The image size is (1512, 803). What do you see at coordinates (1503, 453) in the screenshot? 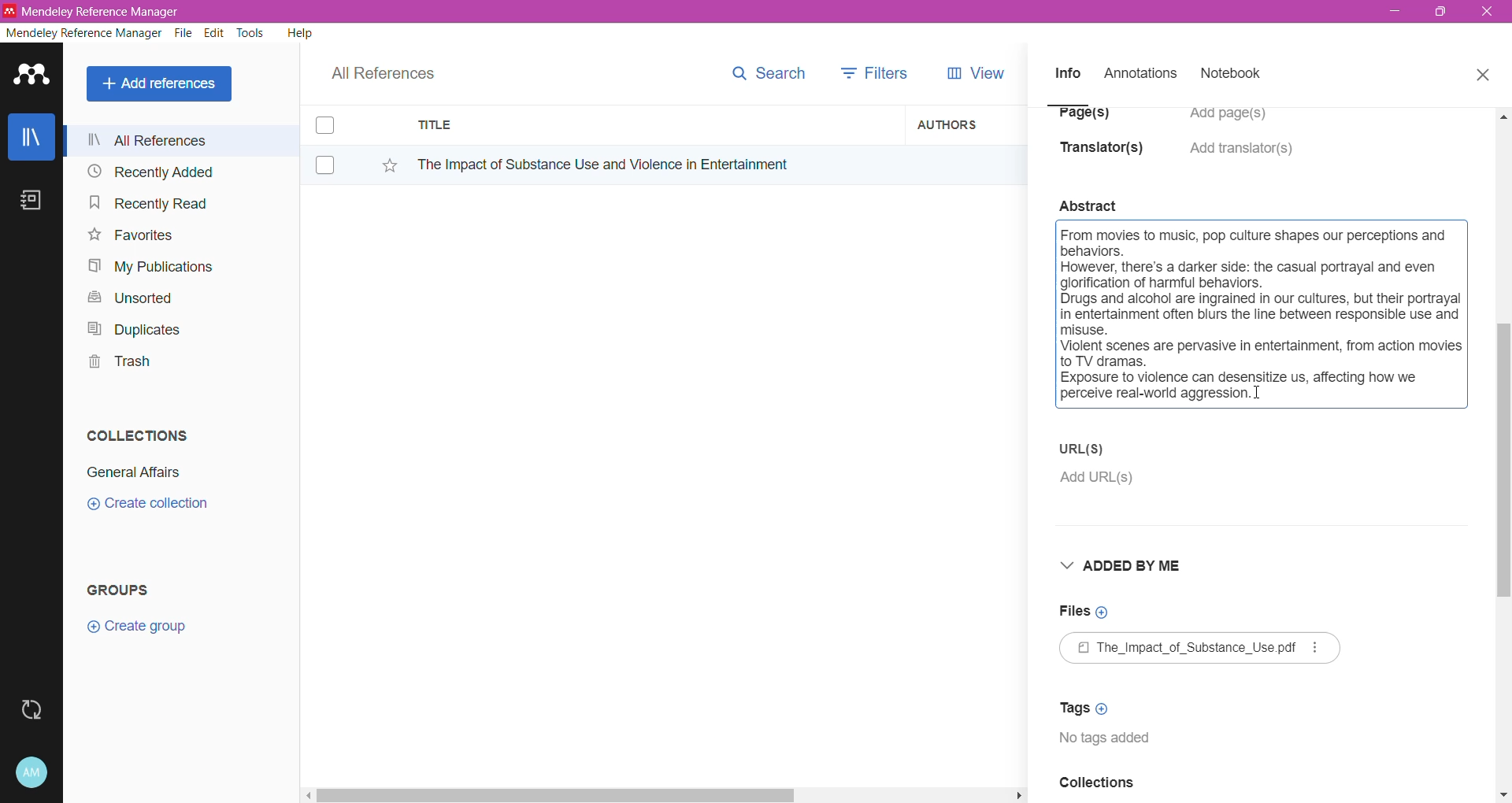
I see `Vertical Scroll Bar` at bounding box center [1503, 453].